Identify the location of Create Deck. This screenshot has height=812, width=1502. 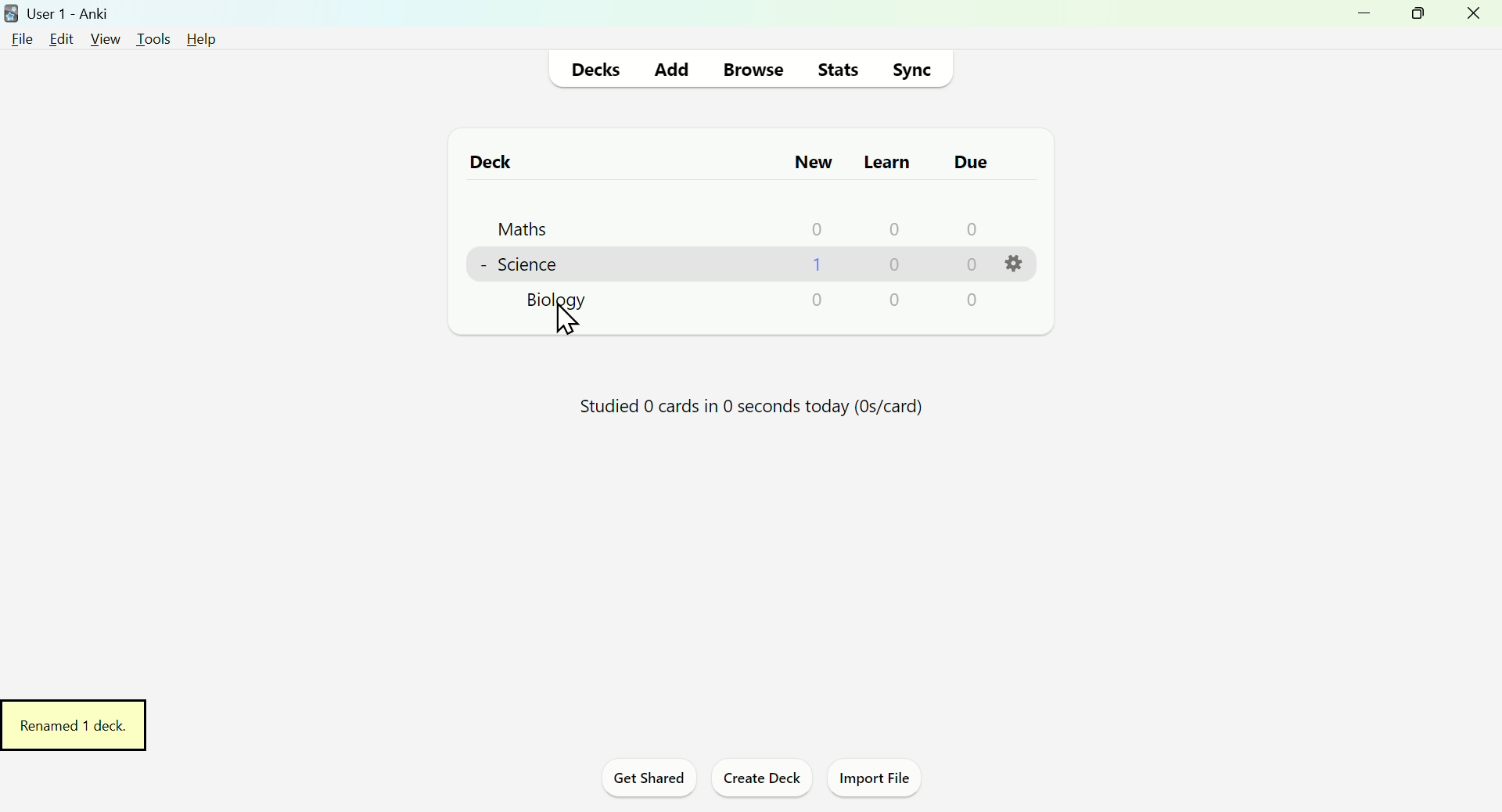
(761, 781).